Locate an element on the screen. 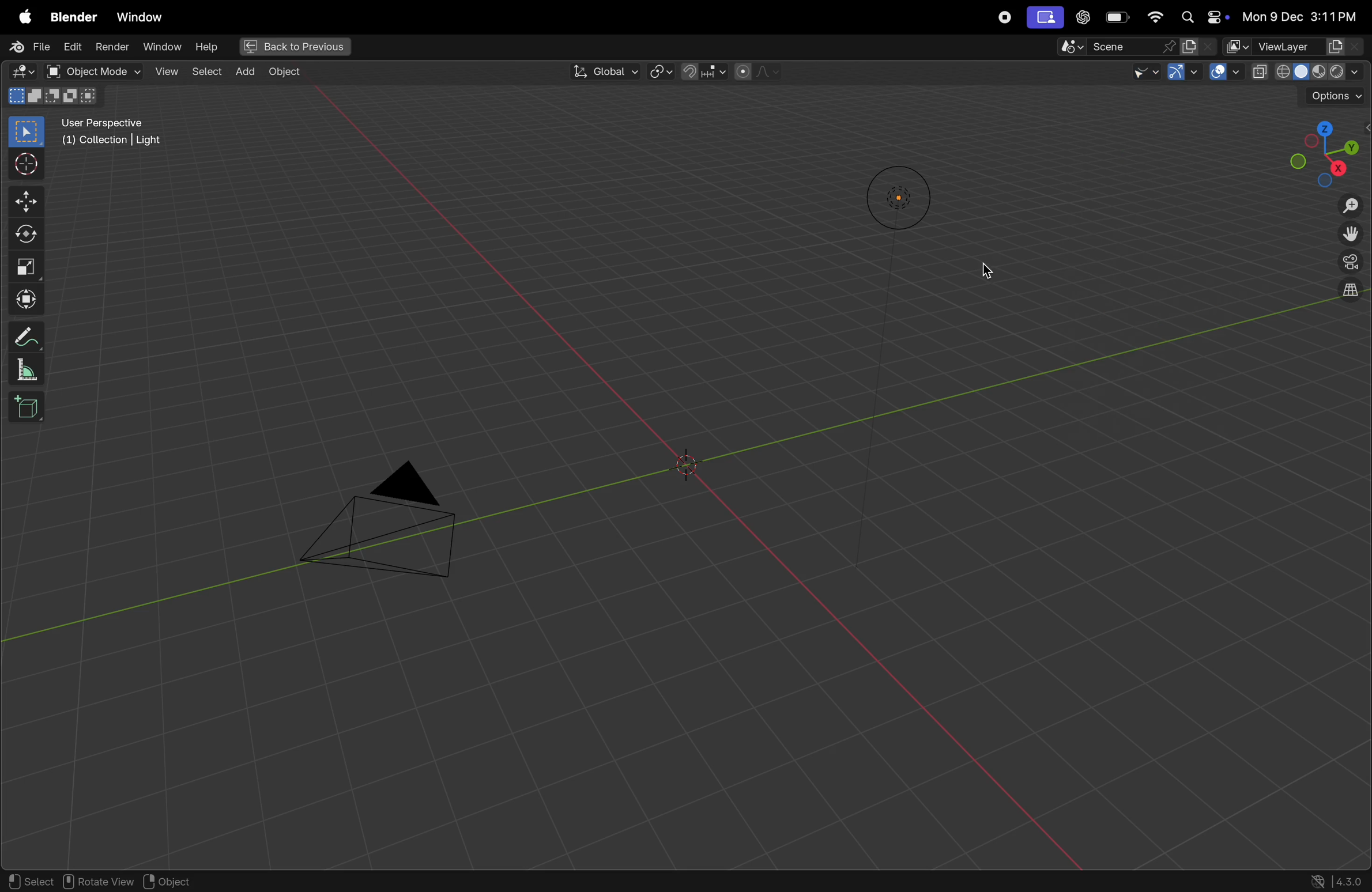 The height and width of the screenshot is (892, 1372). centre point is located at coordinates (690, 464).